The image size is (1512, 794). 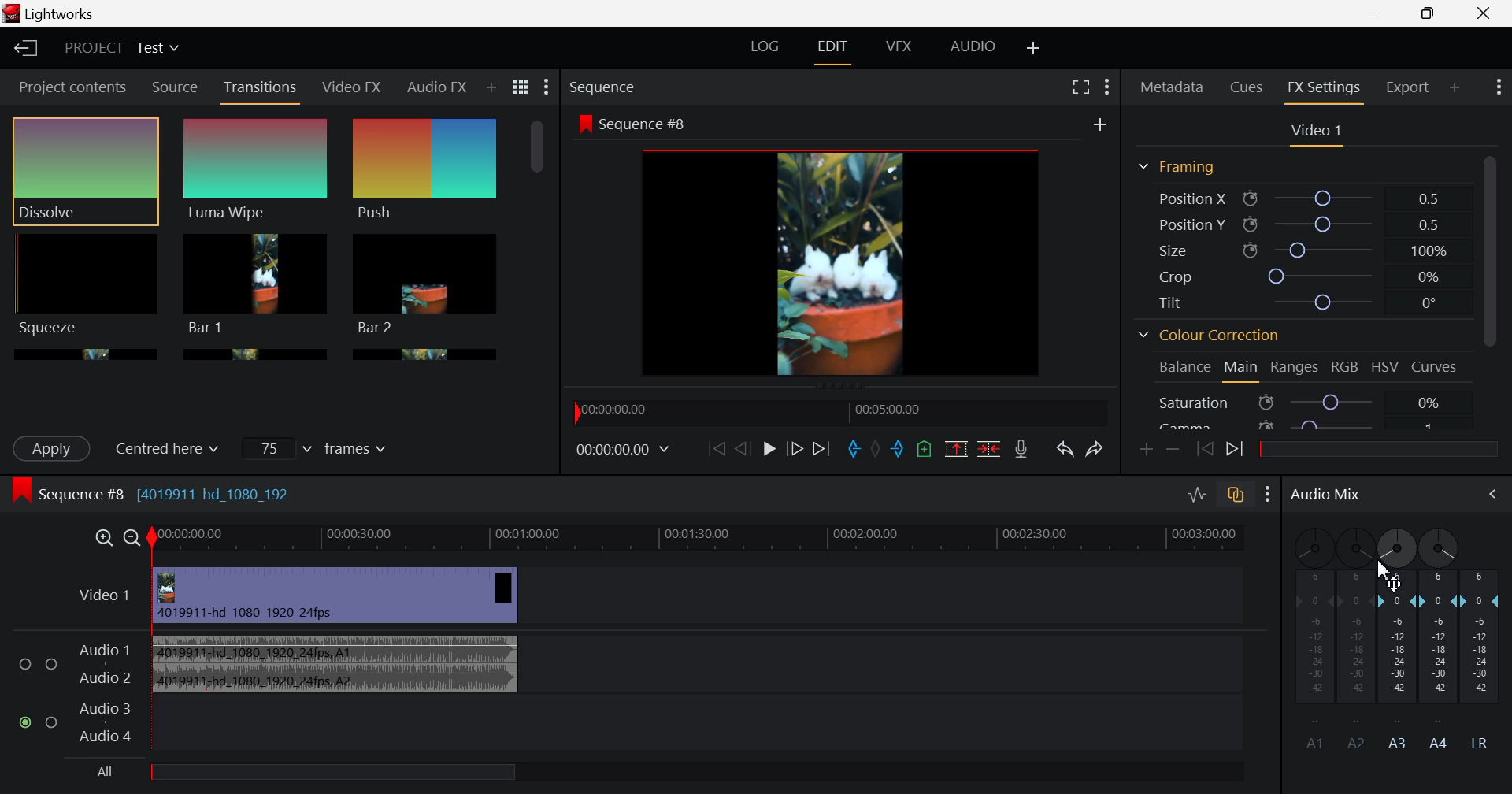 I want to click on toggle auto track sync, so click(x=1237, y=499).